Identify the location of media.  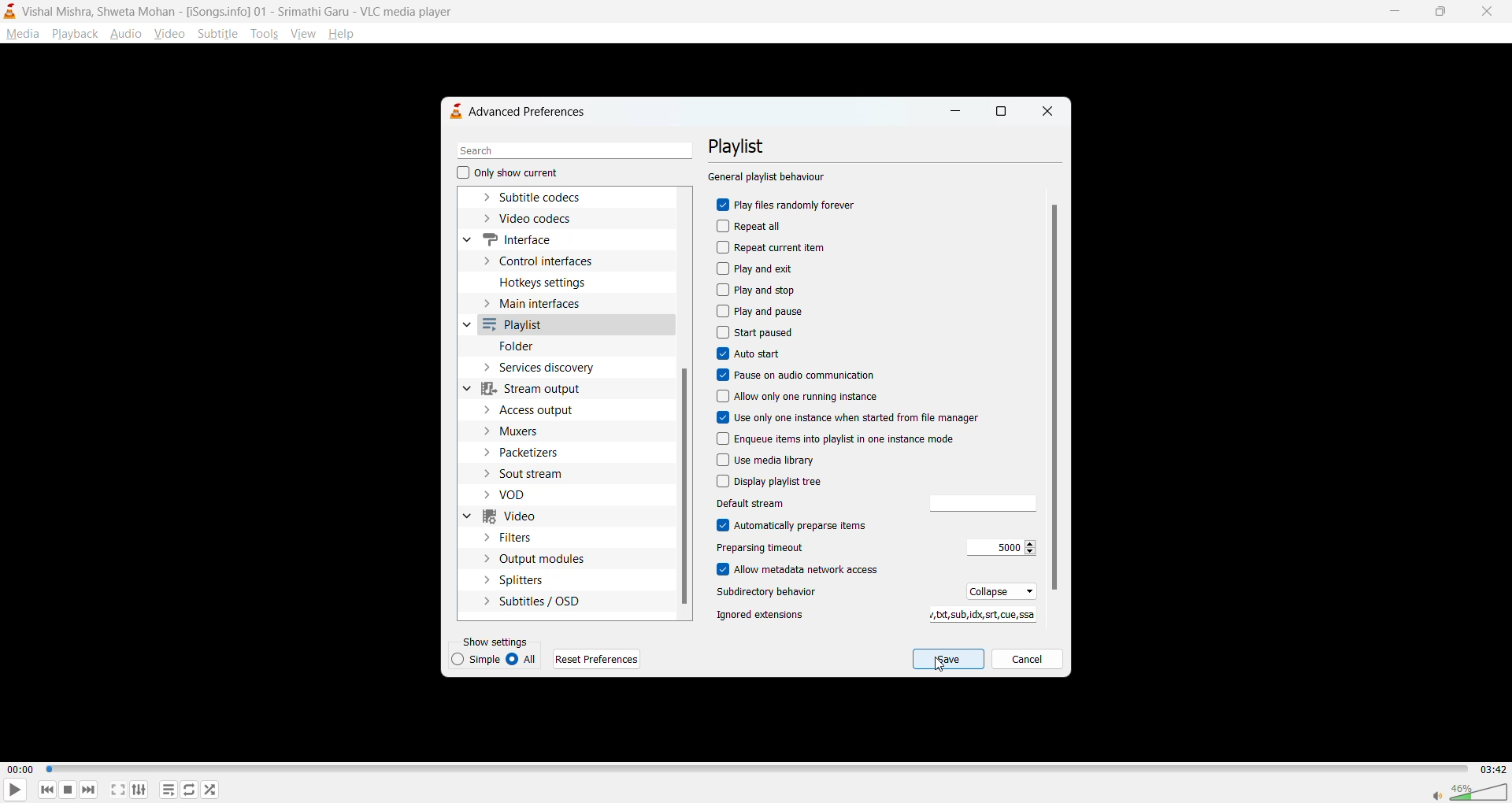
(22, 34).